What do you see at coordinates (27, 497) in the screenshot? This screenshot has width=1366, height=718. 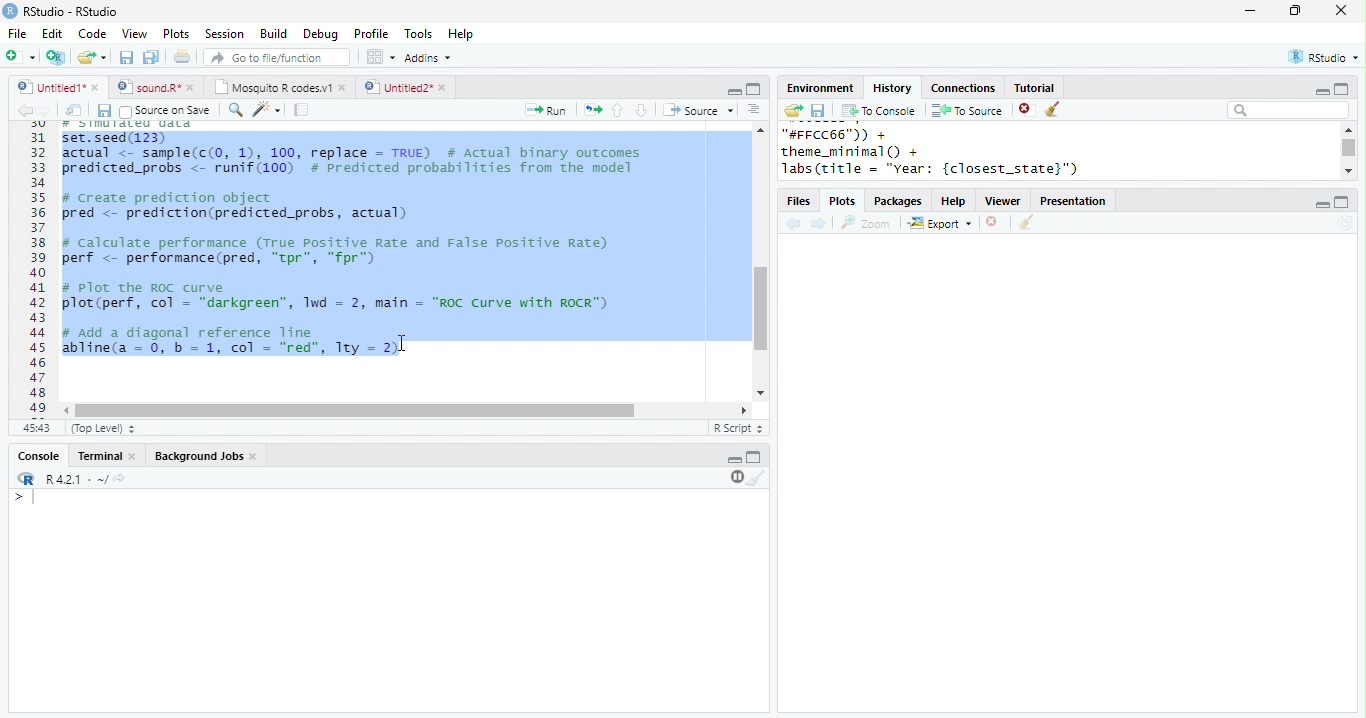 I see `>` at bounding box center [27, 497].